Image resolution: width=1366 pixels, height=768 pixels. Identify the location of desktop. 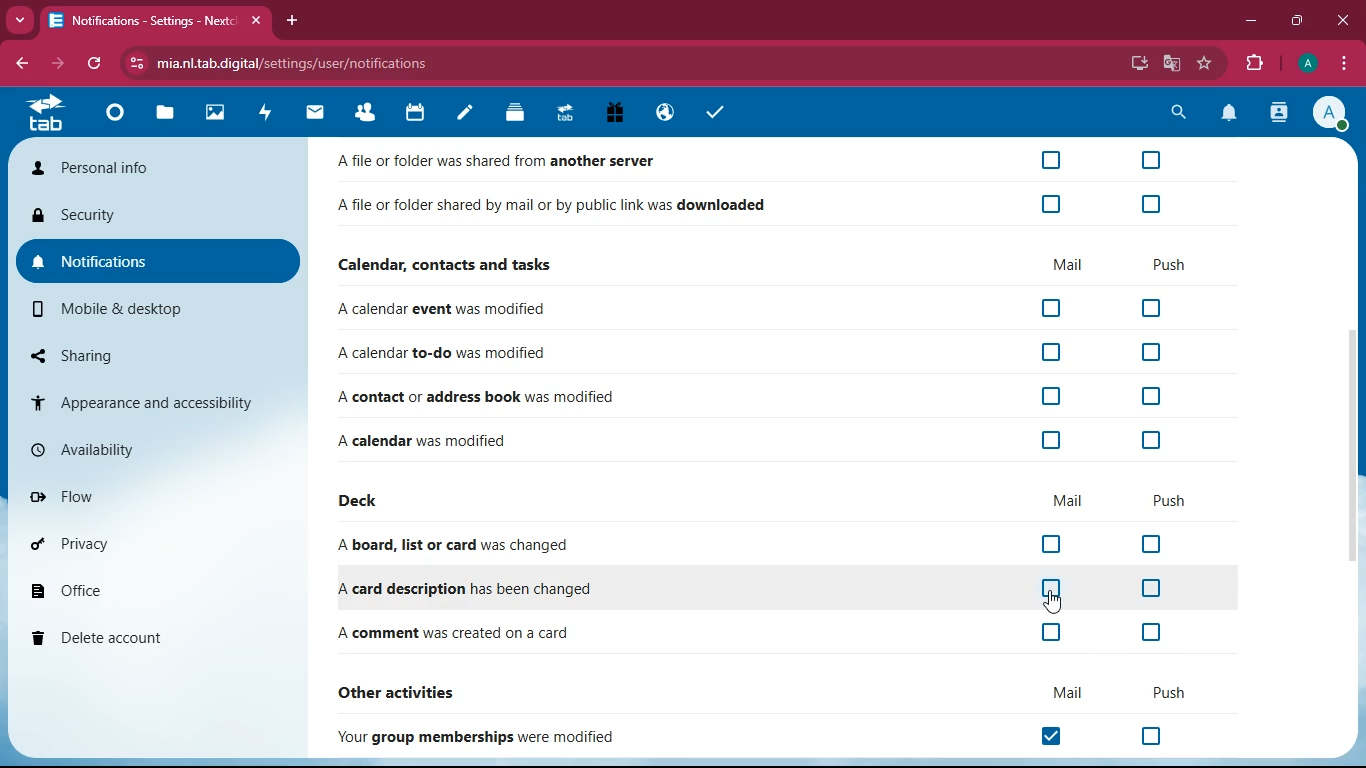
(1138, 65).